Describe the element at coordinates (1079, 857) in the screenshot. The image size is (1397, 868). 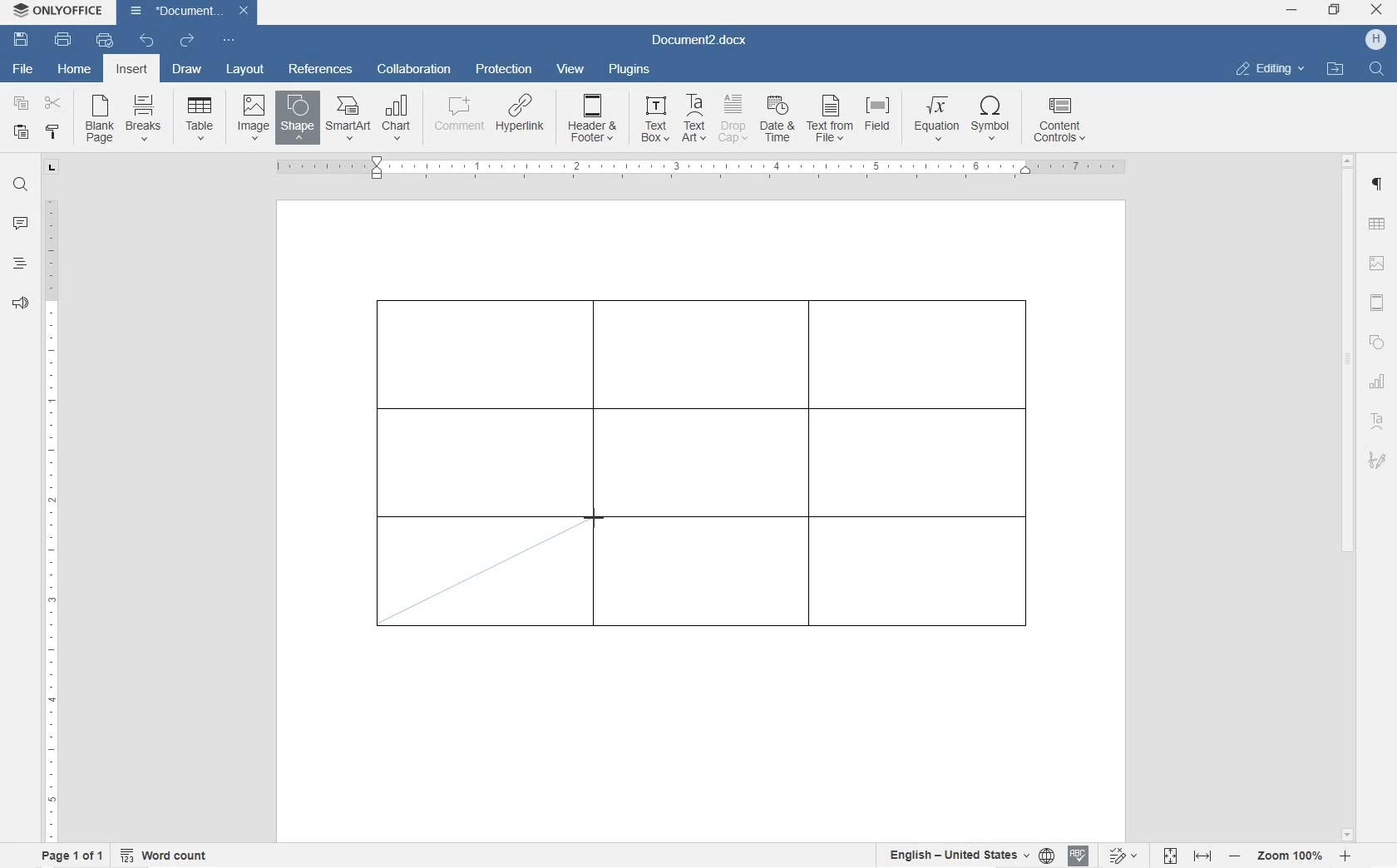
I see `spell check` at that location.